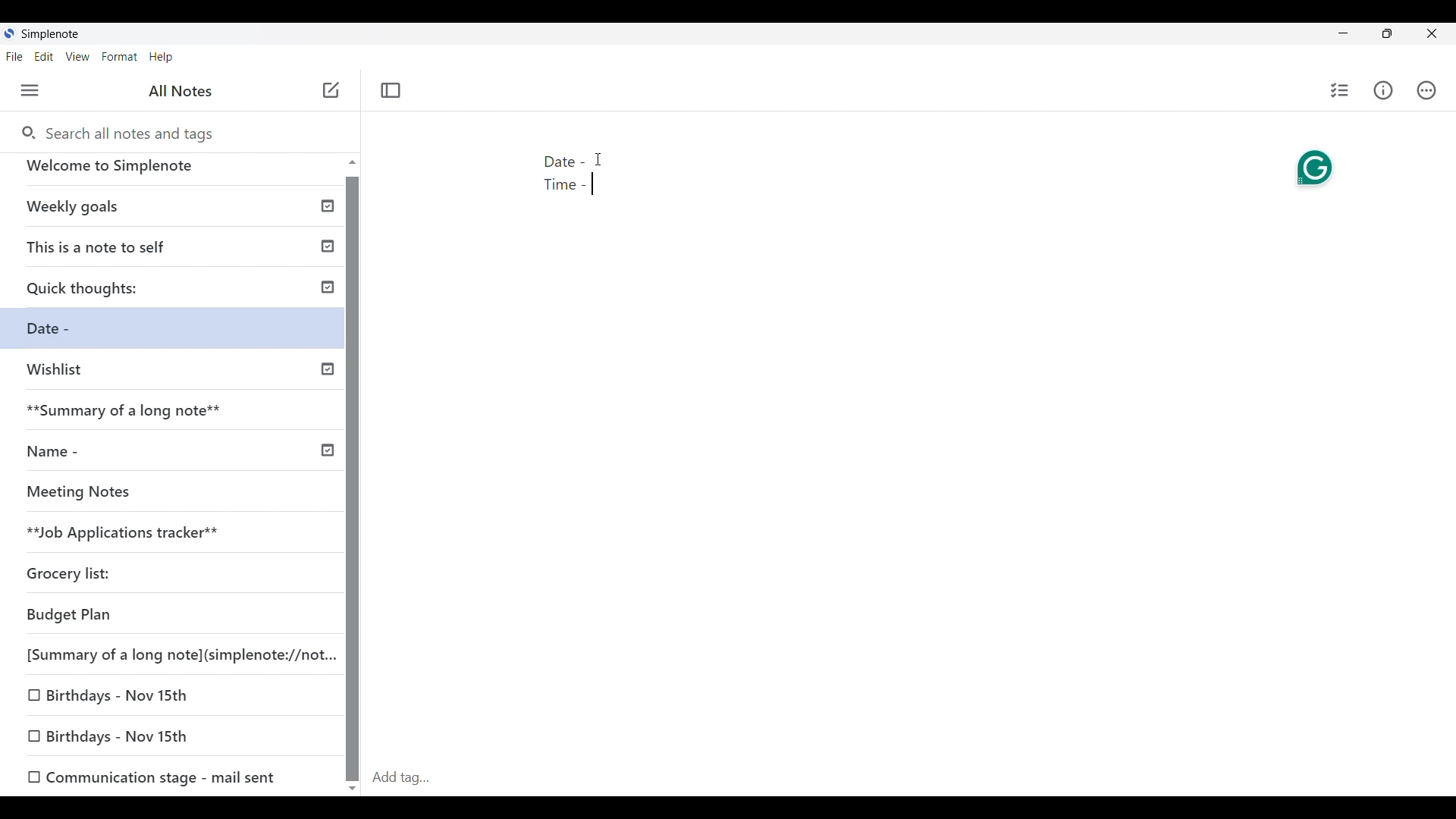 The height and width of the screenshot is (819, 1456). I want to click on Published note indicated by check icon, so click(181, 252).